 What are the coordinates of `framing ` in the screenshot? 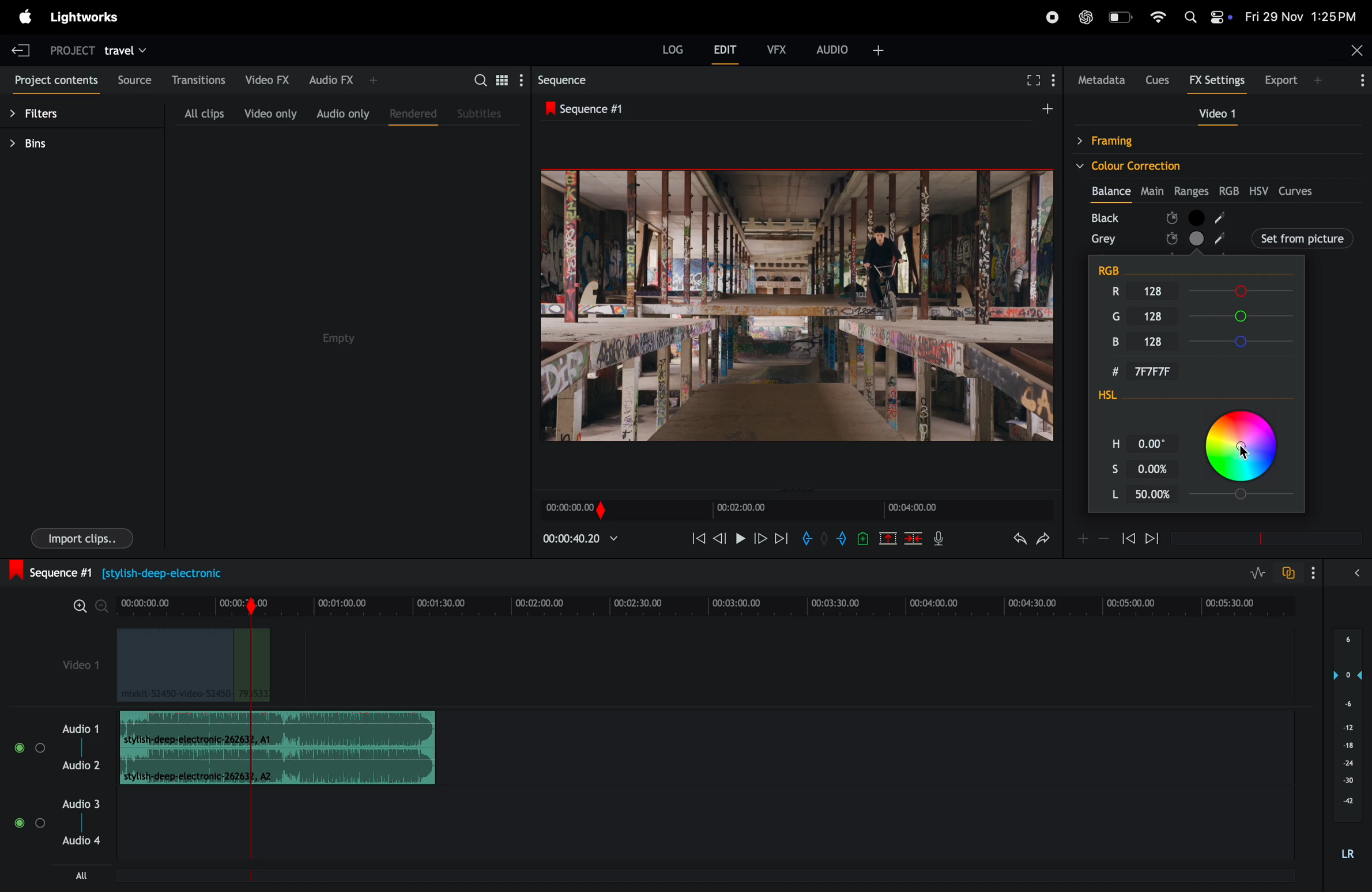 It's located at (1162, 141).